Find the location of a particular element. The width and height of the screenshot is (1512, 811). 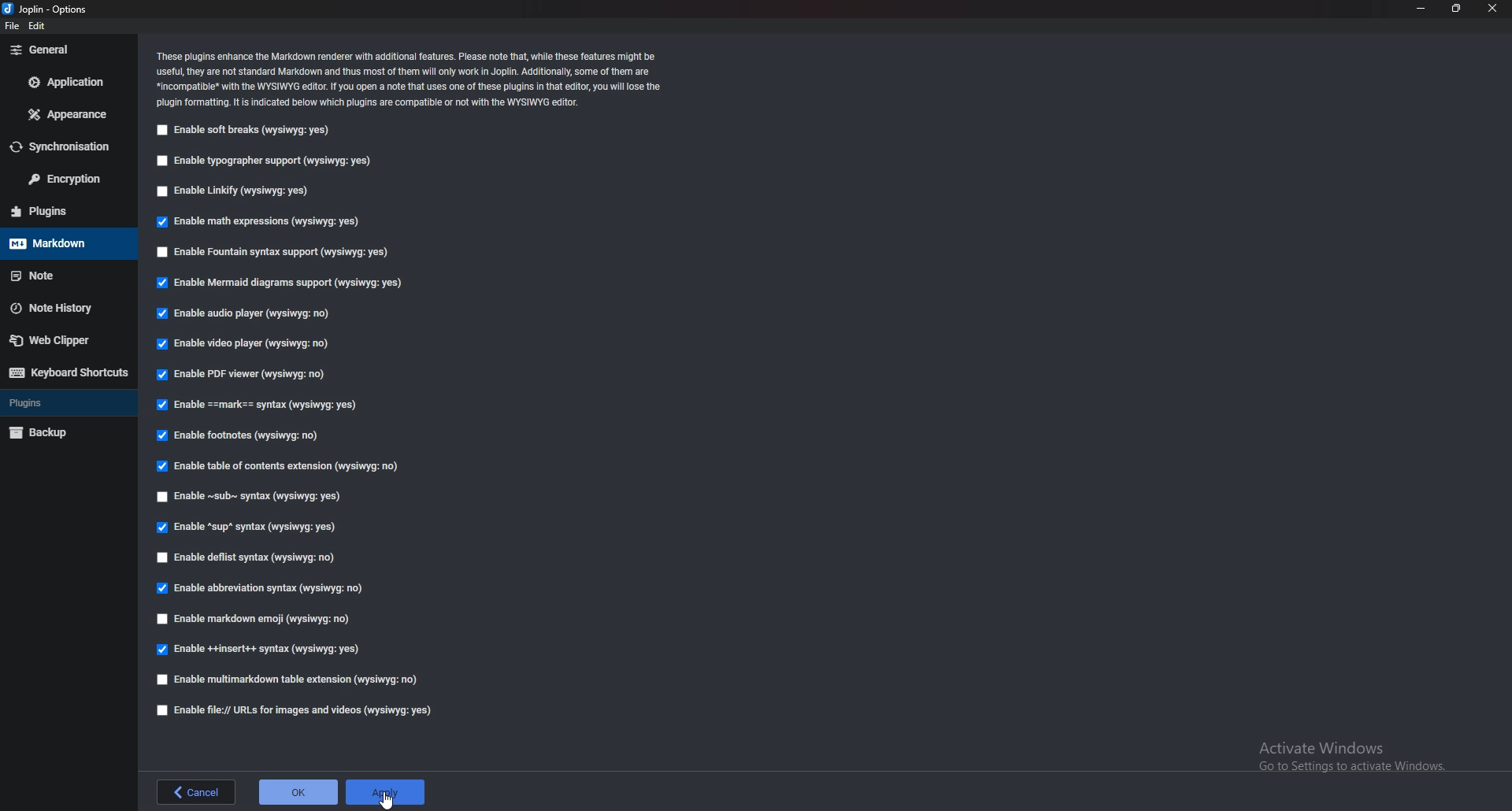

Enable mermaid diagrams is located at coordinates (283, 284).